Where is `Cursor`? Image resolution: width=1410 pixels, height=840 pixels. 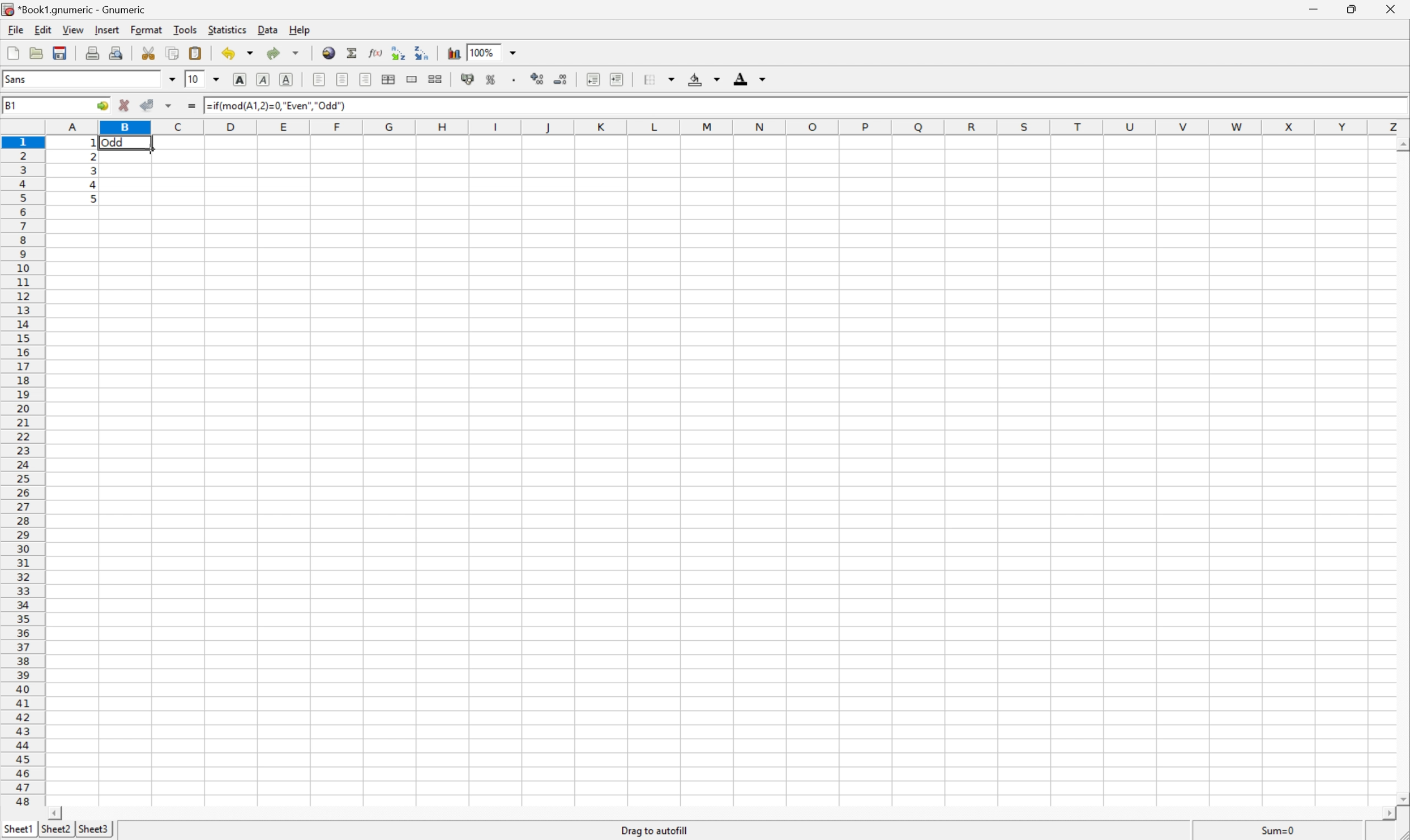
Cursor is located at coordinates (151, 149).